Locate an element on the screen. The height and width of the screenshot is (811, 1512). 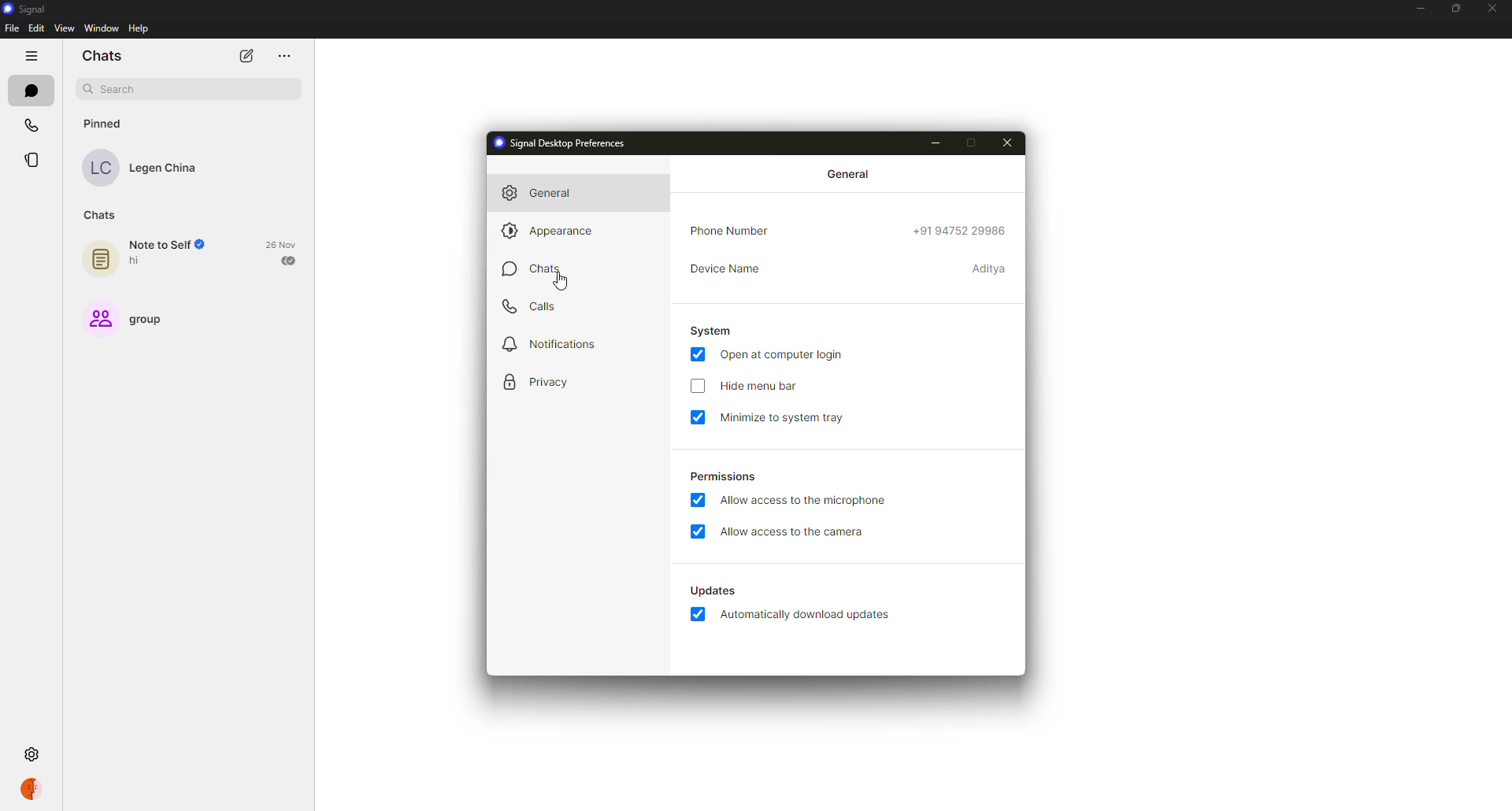
device name is located at coordinates (721, 267).